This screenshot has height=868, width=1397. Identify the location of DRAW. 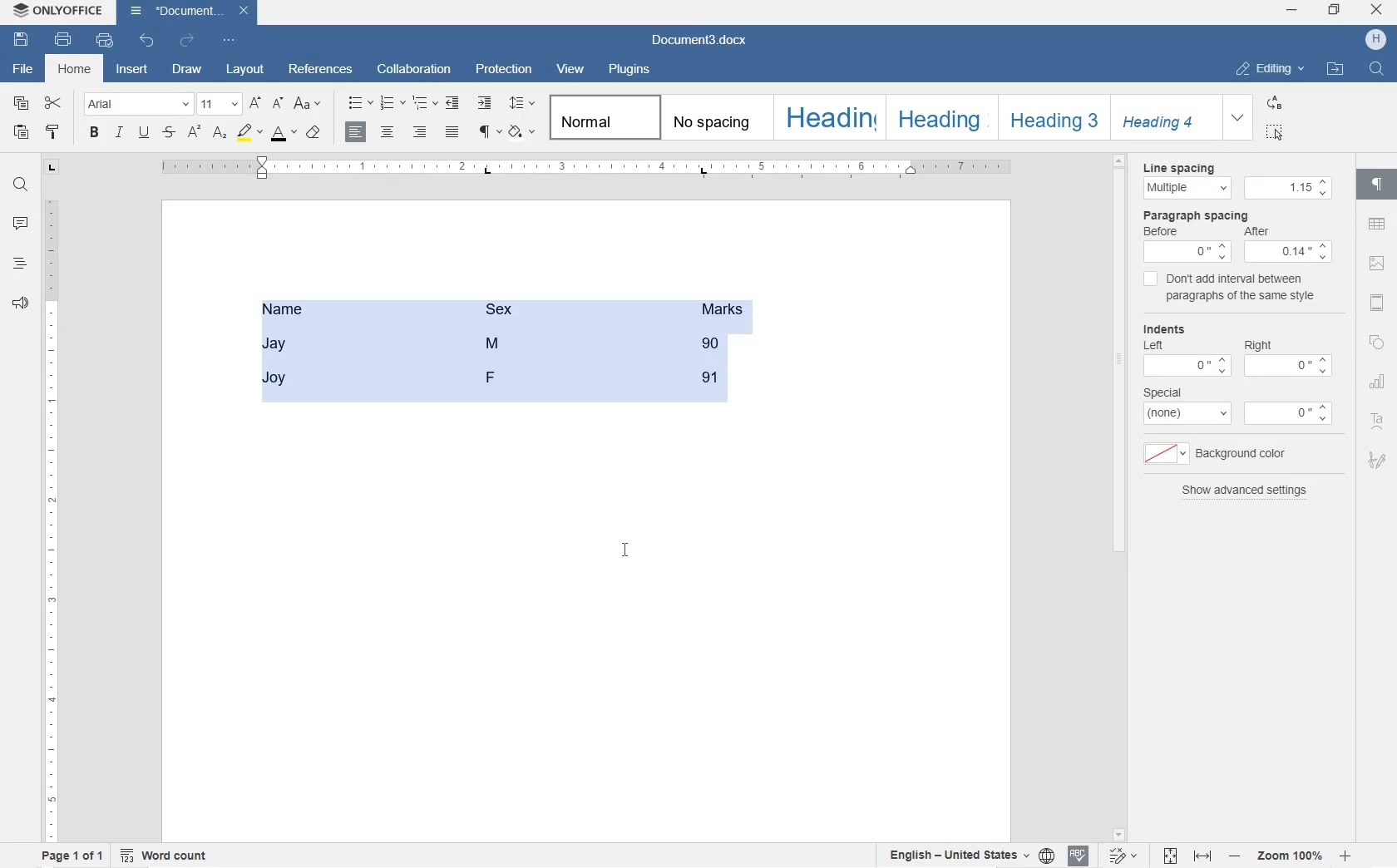
(188, 70).